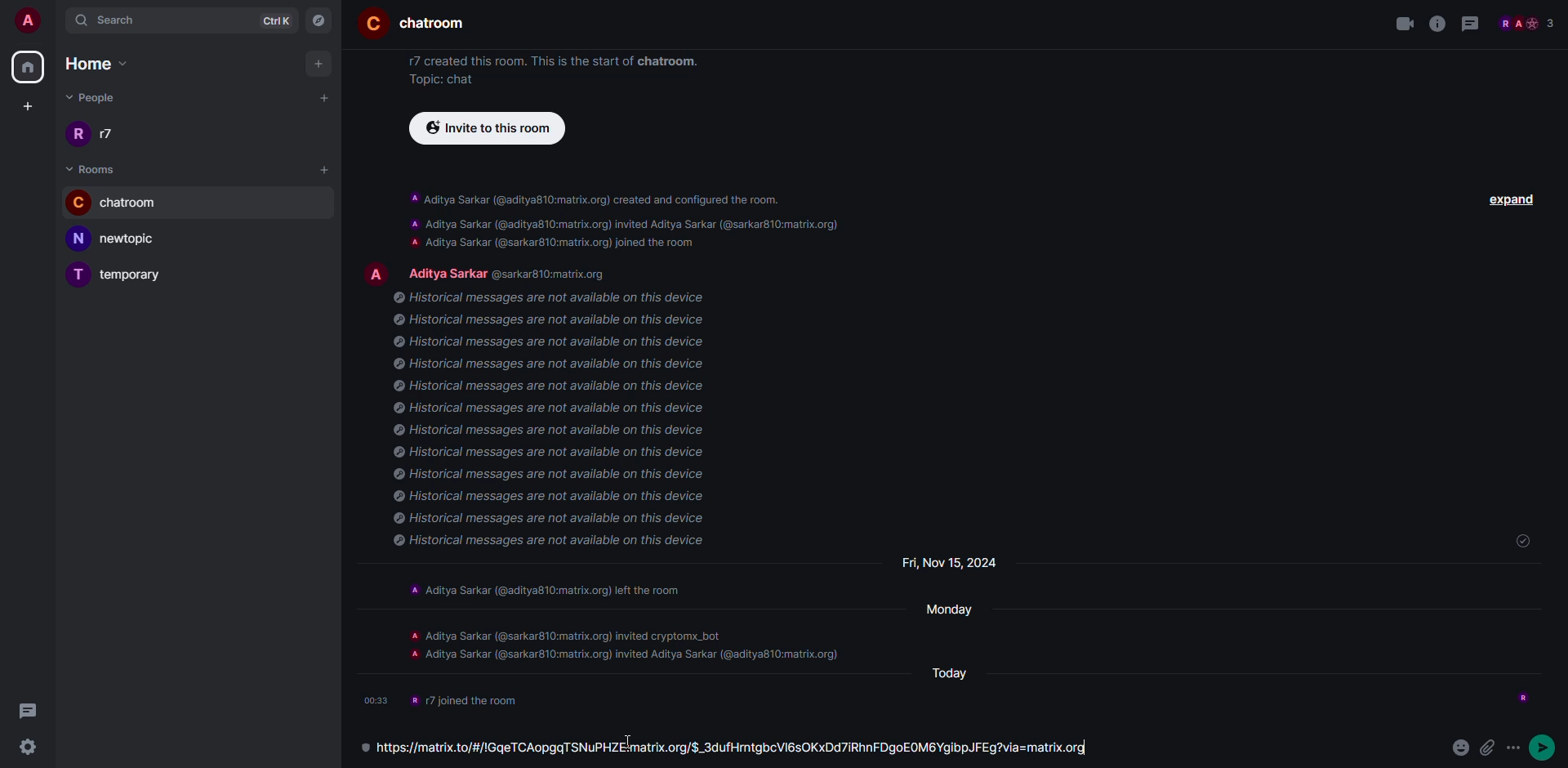 Image resolution: width=1568 pixels, height=768 pixels. What do you see at coordinates (125, 274) in the screenshot?
I see `temporary` at bounding box center [125, 274].